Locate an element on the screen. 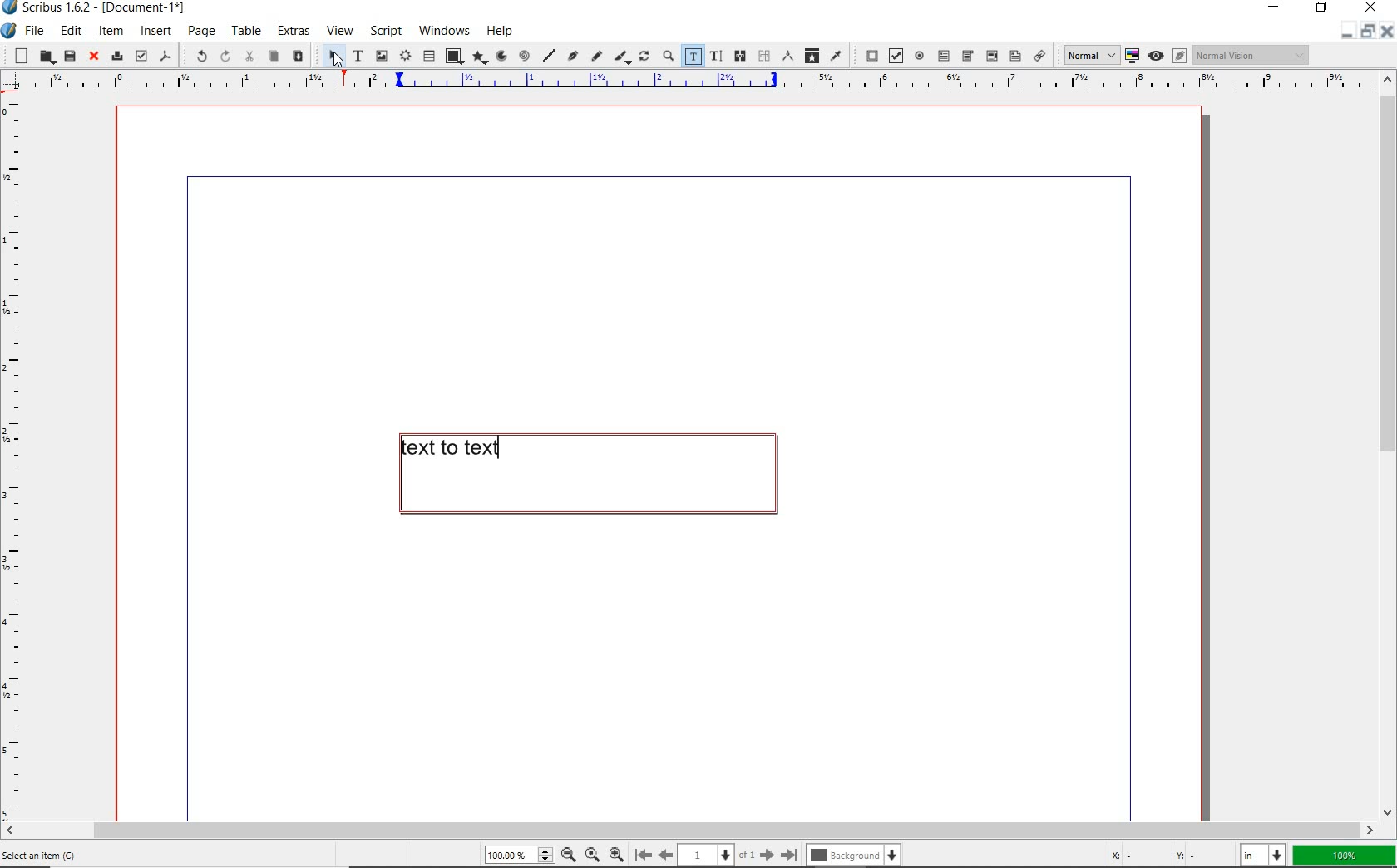  table is located at coordinates (429, 57).